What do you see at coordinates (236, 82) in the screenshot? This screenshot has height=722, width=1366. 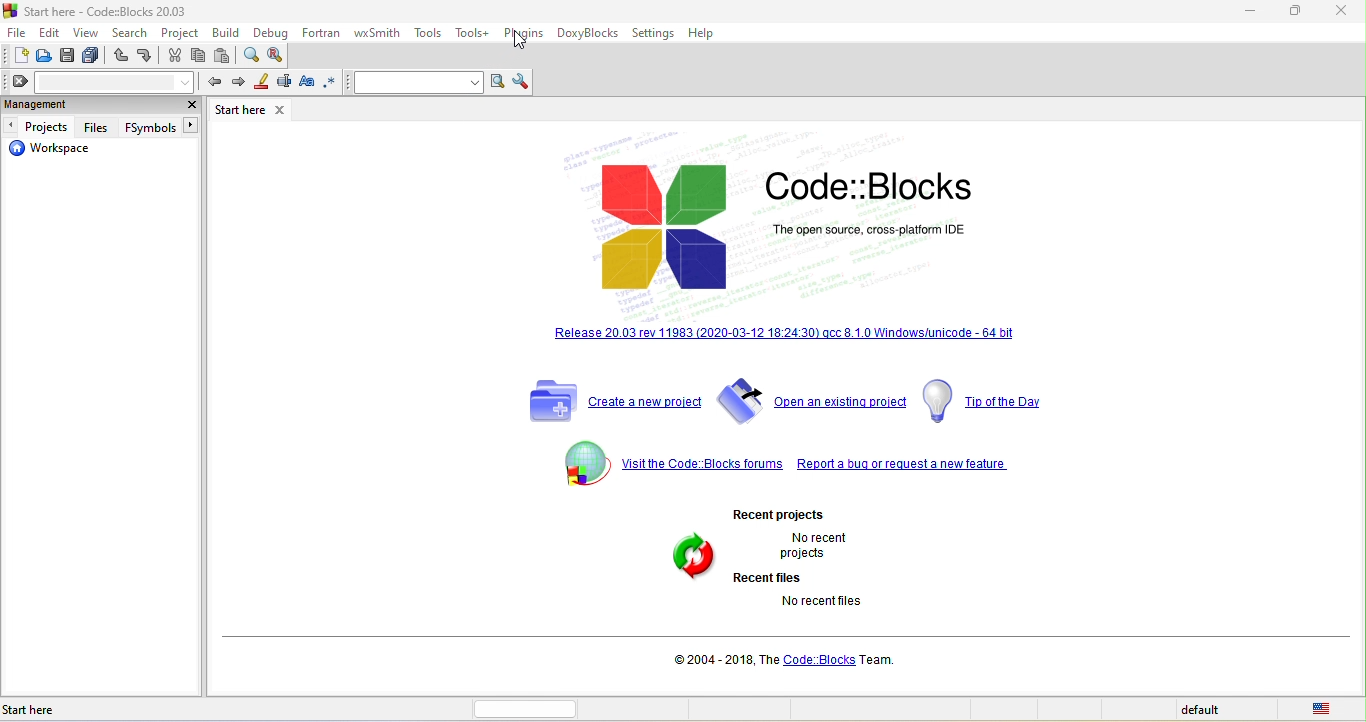 I see `next` at bounding box center [236, 82].